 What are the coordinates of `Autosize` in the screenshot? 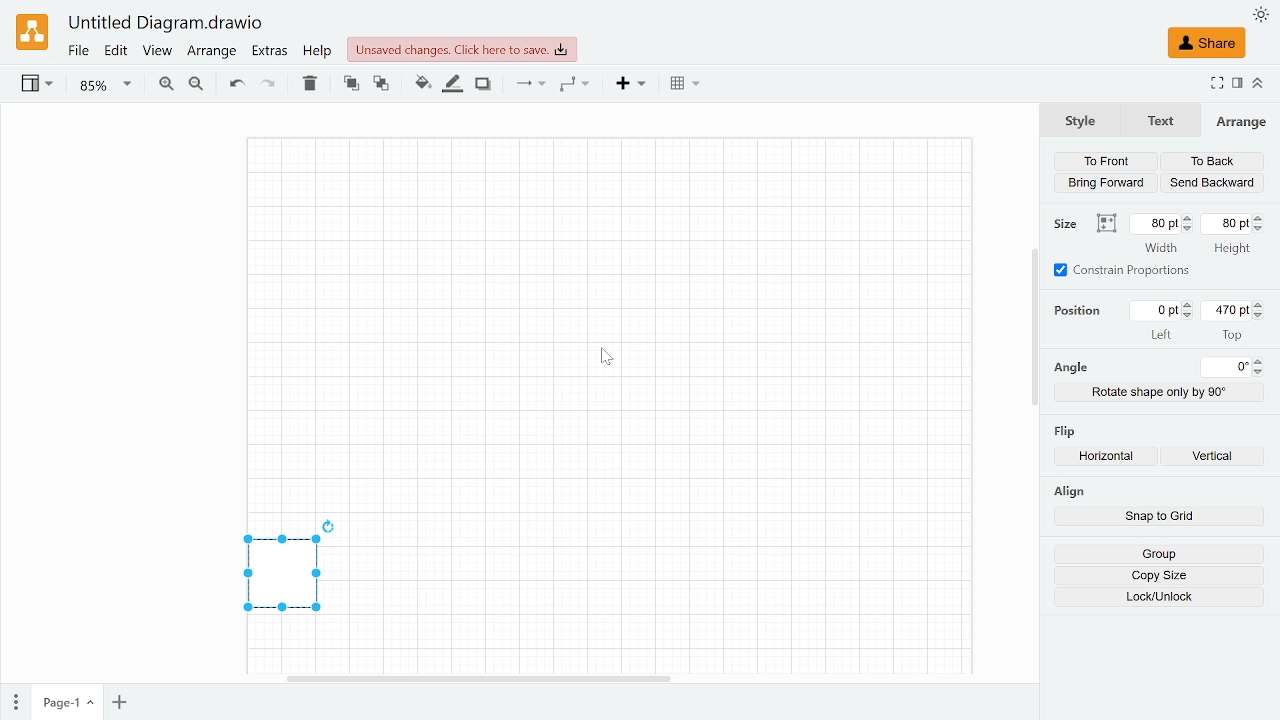 It's located at (1106, 224).